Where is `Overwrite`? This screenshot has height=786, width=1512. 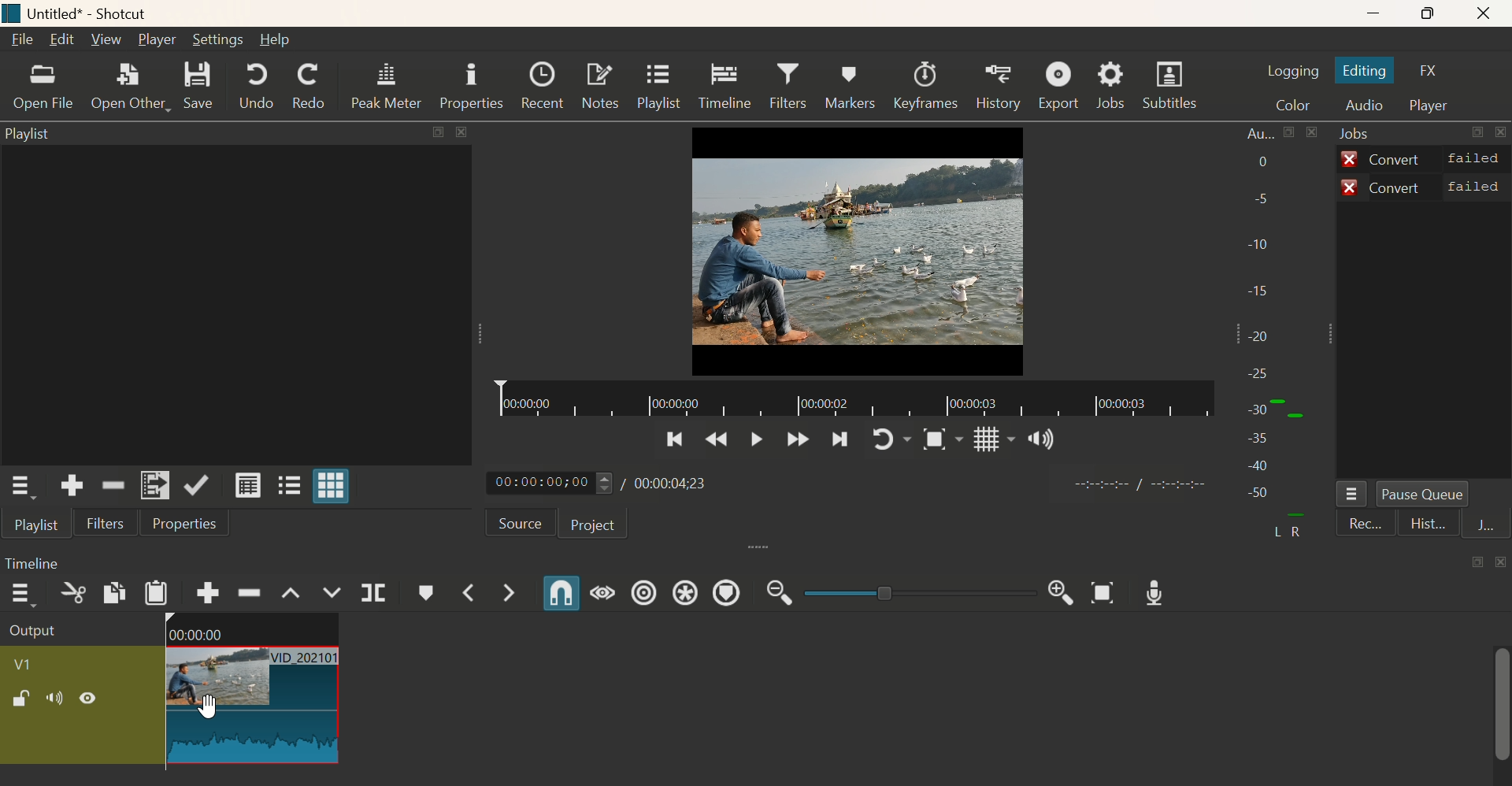
Overwrite is located at coordinates (333, 593).